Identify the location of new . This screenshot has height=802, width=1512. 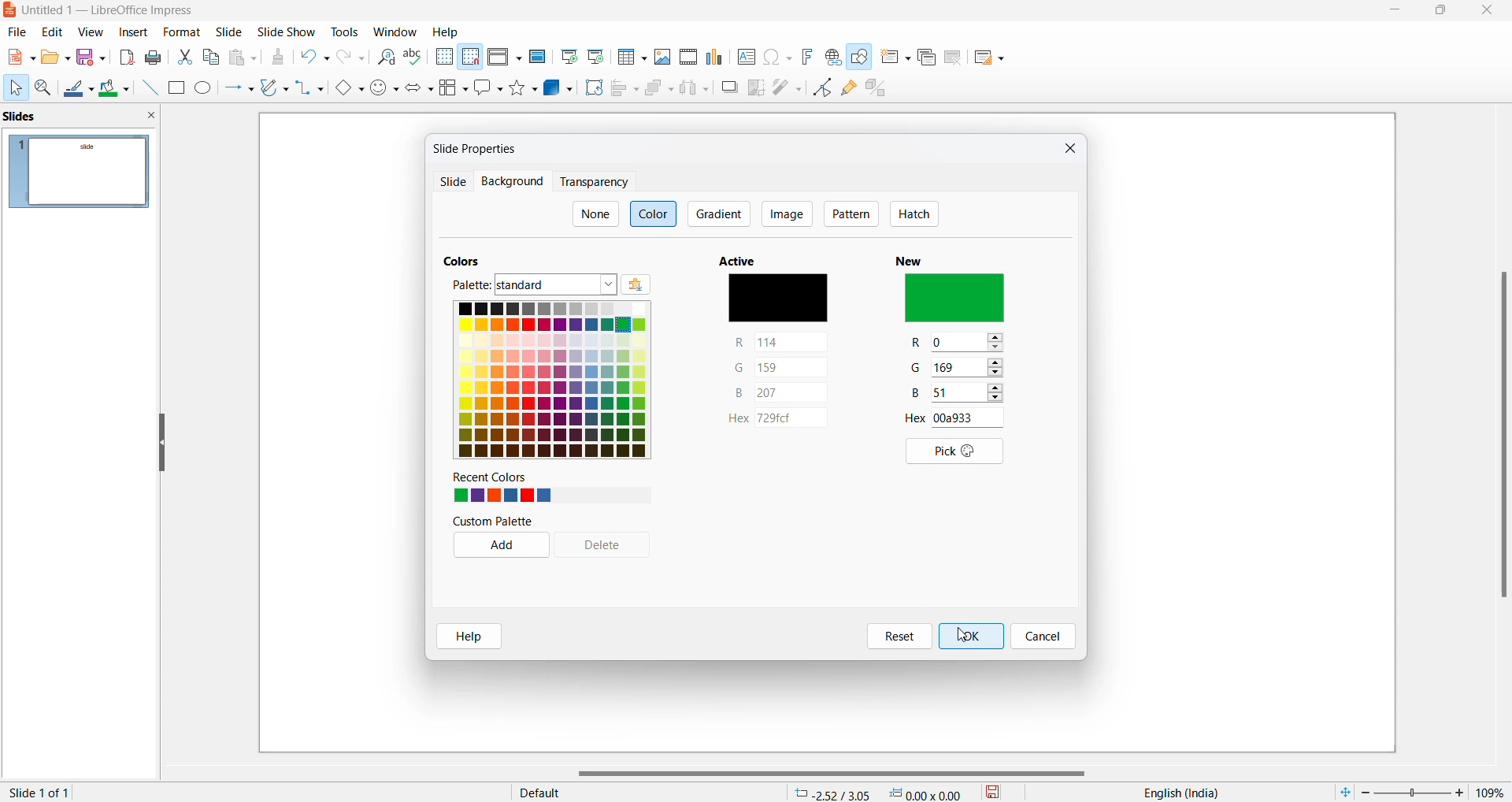
(915, 258).